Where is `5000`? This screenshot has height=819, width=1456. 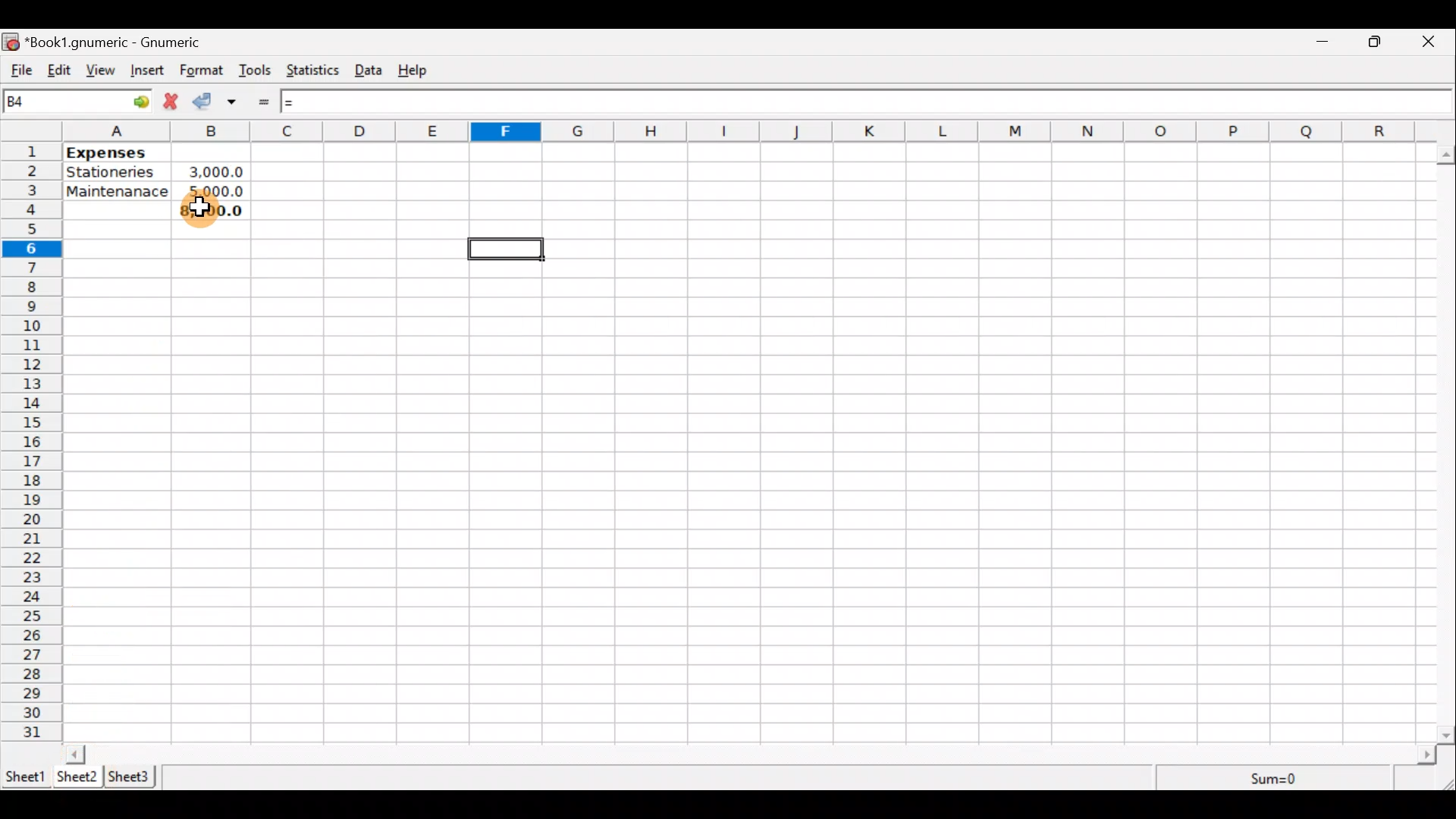
5000 is located at coordinates (215, 191).